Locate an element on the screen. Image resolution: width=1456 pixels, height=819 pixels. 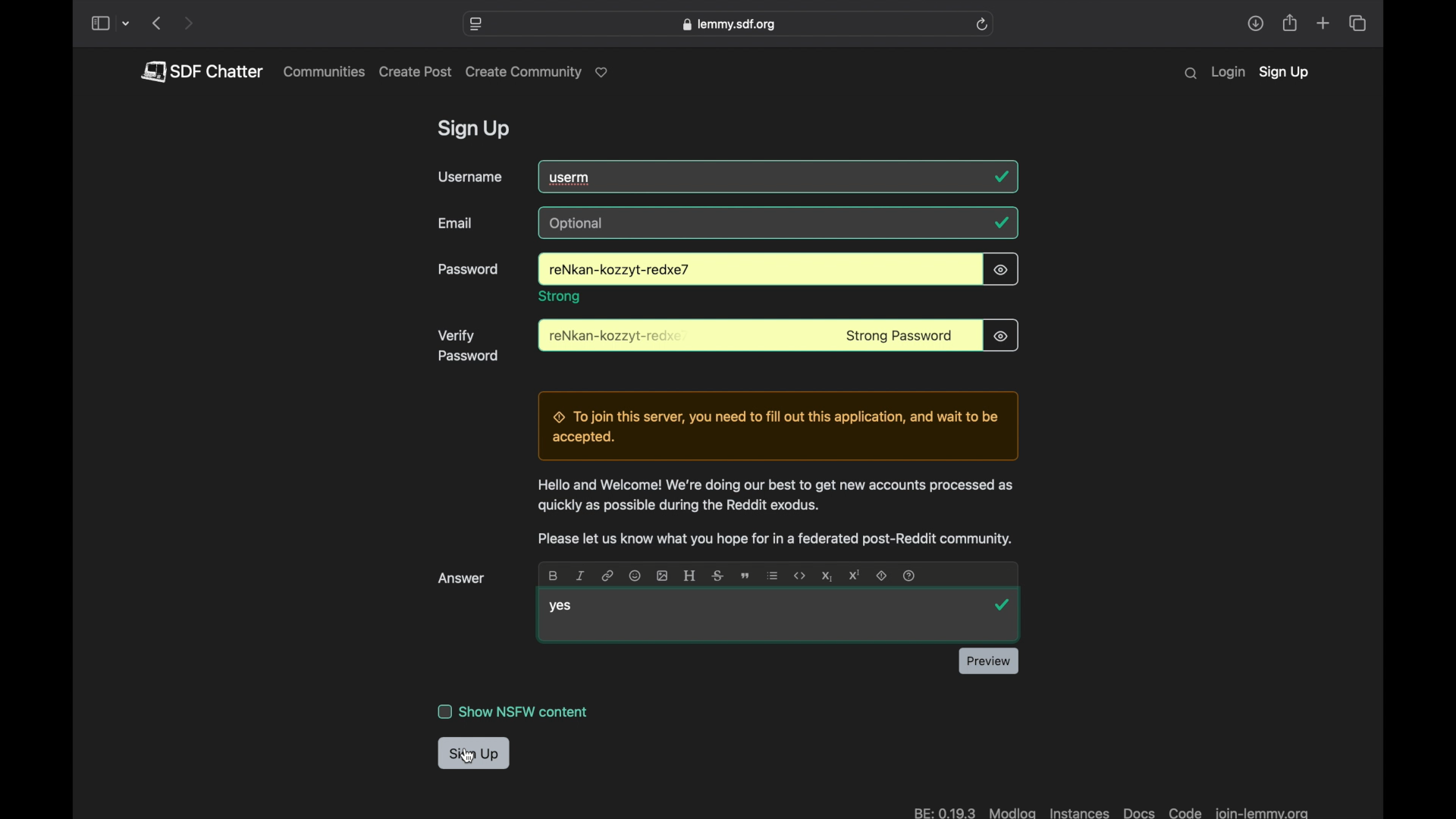
show NSFW content is located at coordinates (514, 711).